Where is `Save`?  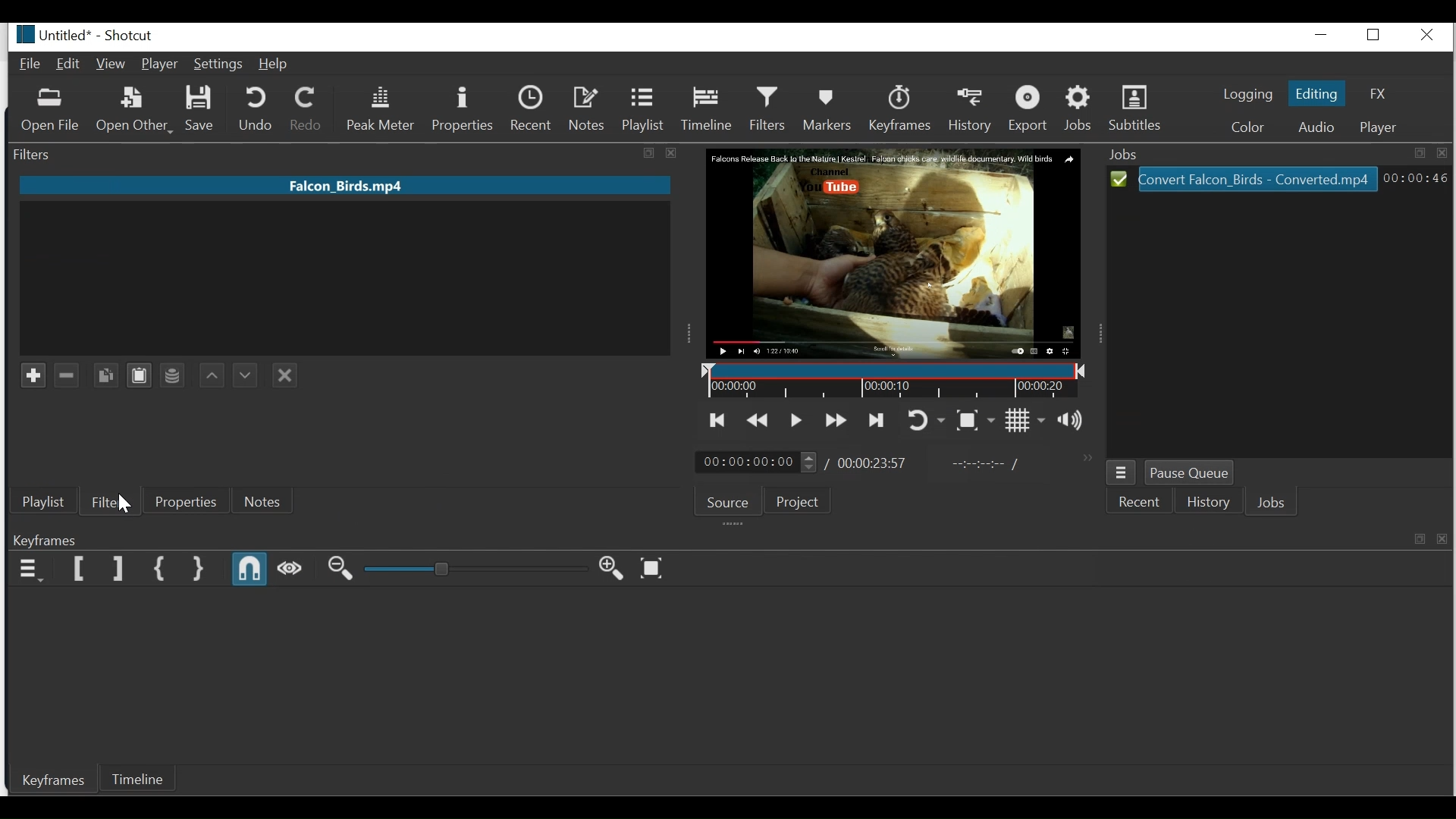
Save is located at coordinates (201, 108).